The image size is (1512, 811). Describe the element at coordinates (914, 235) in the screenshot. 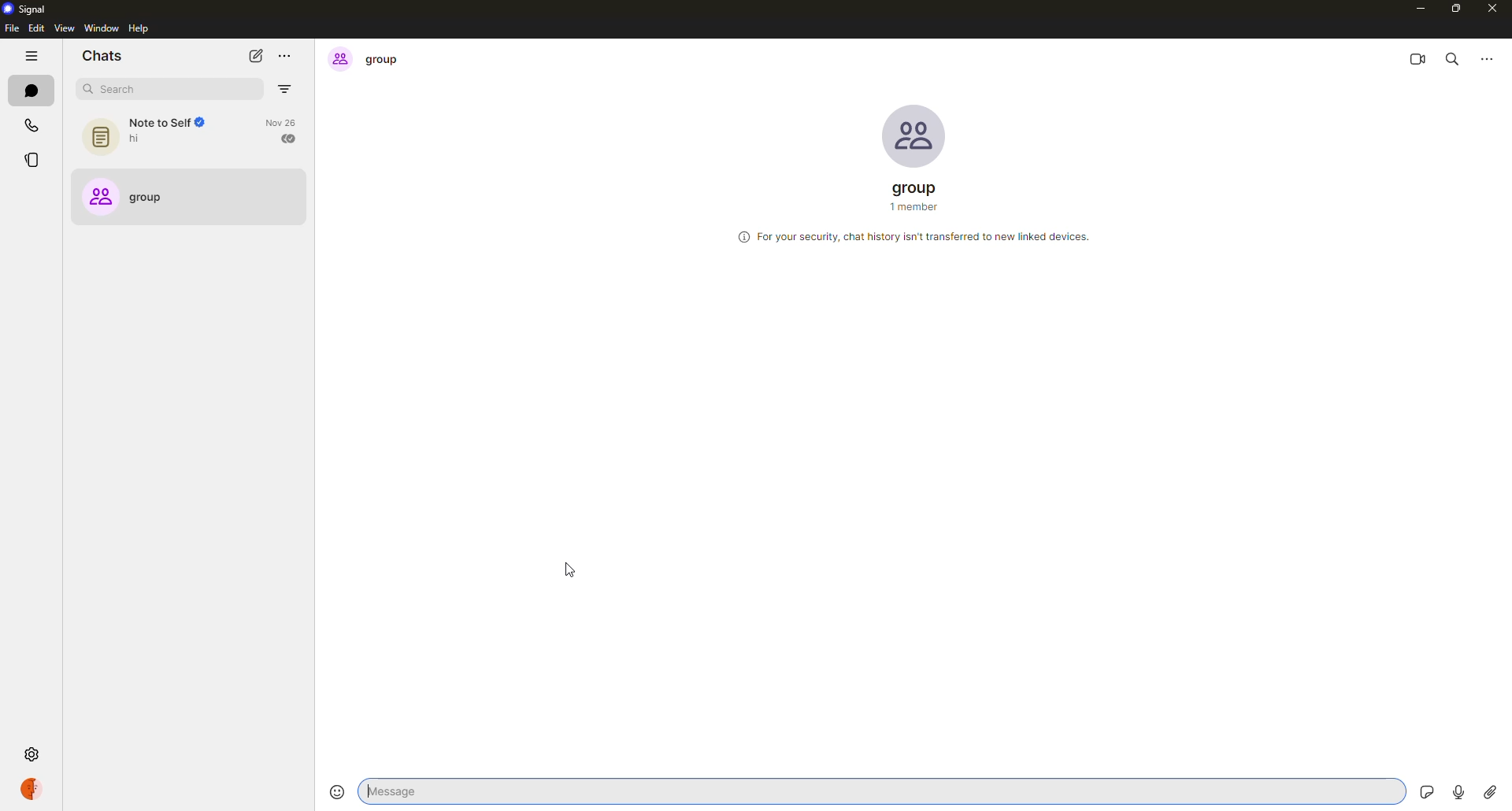

I see `info` at that location.